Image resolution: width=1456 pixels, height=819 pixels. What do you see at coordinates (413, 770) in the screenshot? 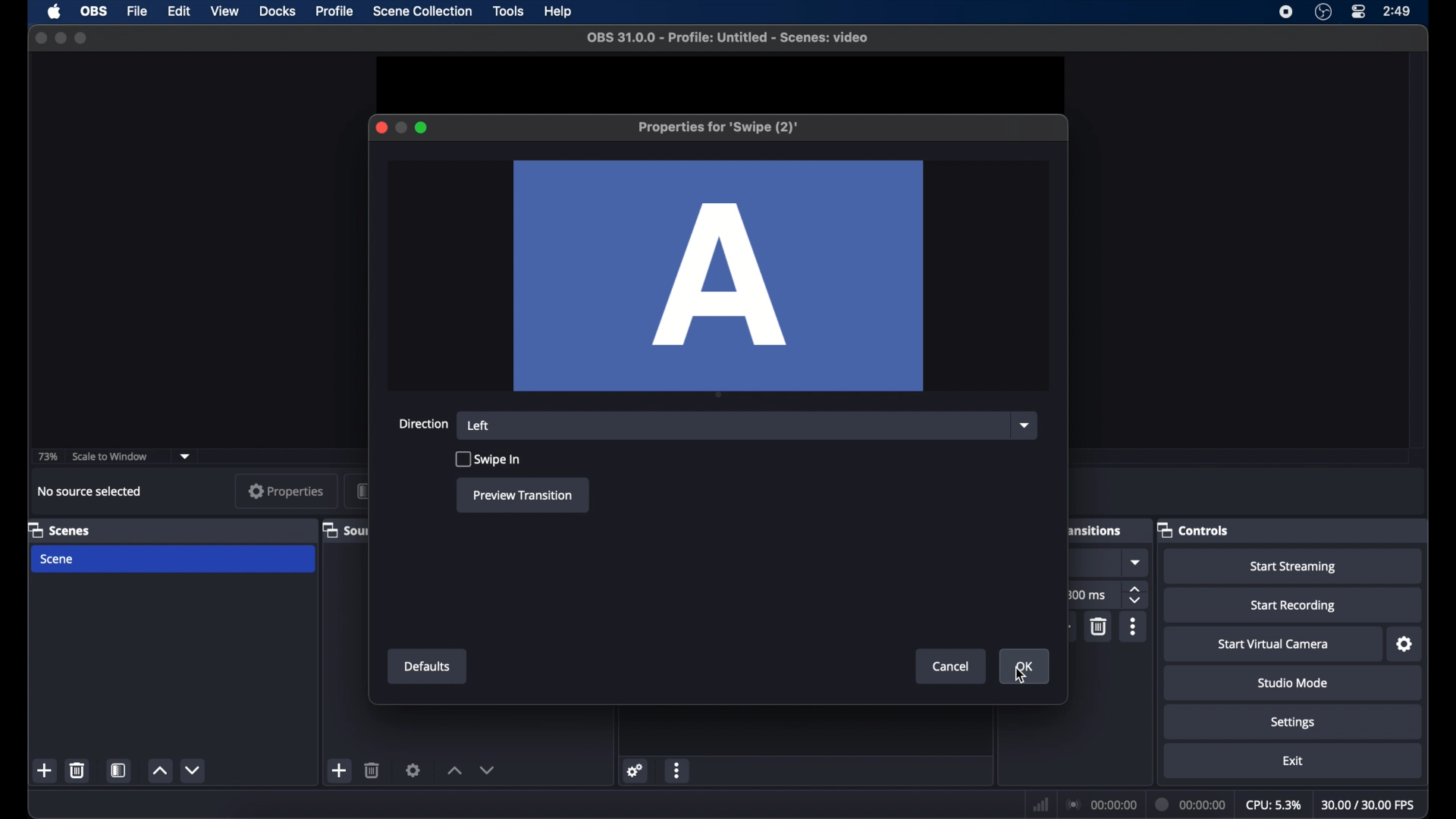
I see `settings` at bounding box center [413, 770].